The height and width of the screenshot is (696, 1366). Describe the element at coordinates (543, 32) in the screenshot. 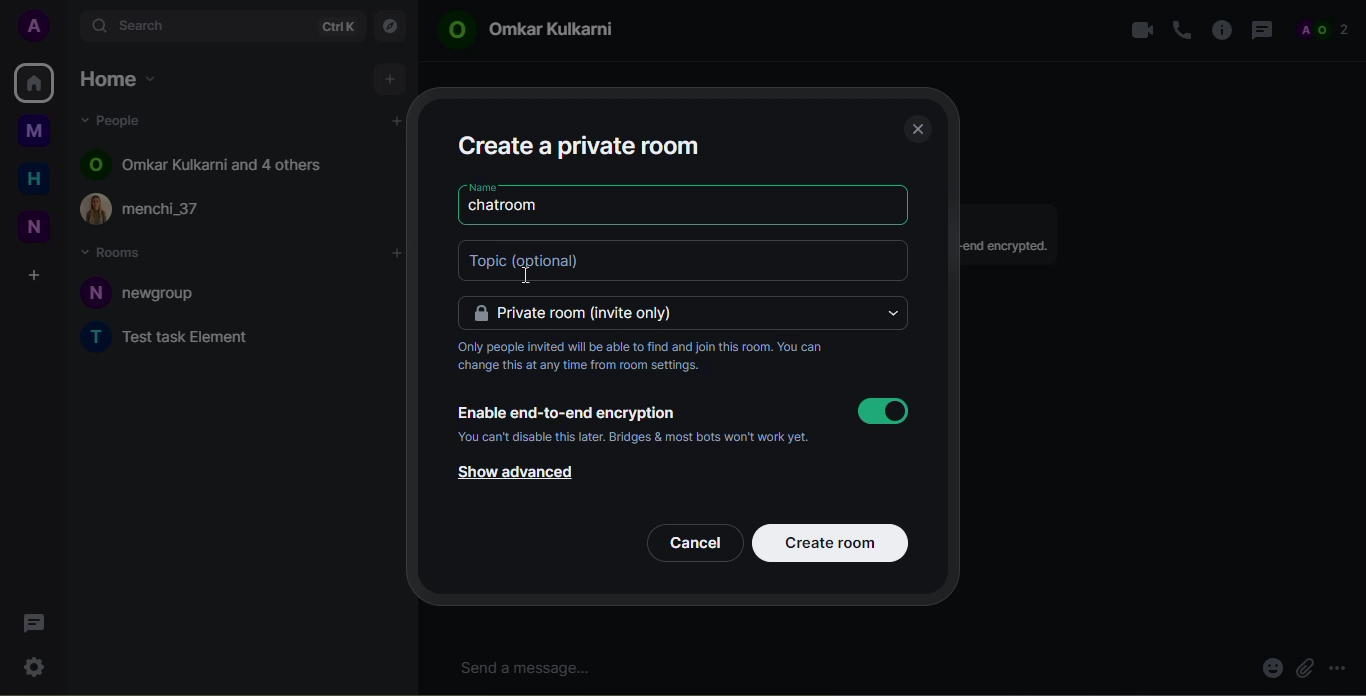

I see `© Omkar Kulkarni` at that location.